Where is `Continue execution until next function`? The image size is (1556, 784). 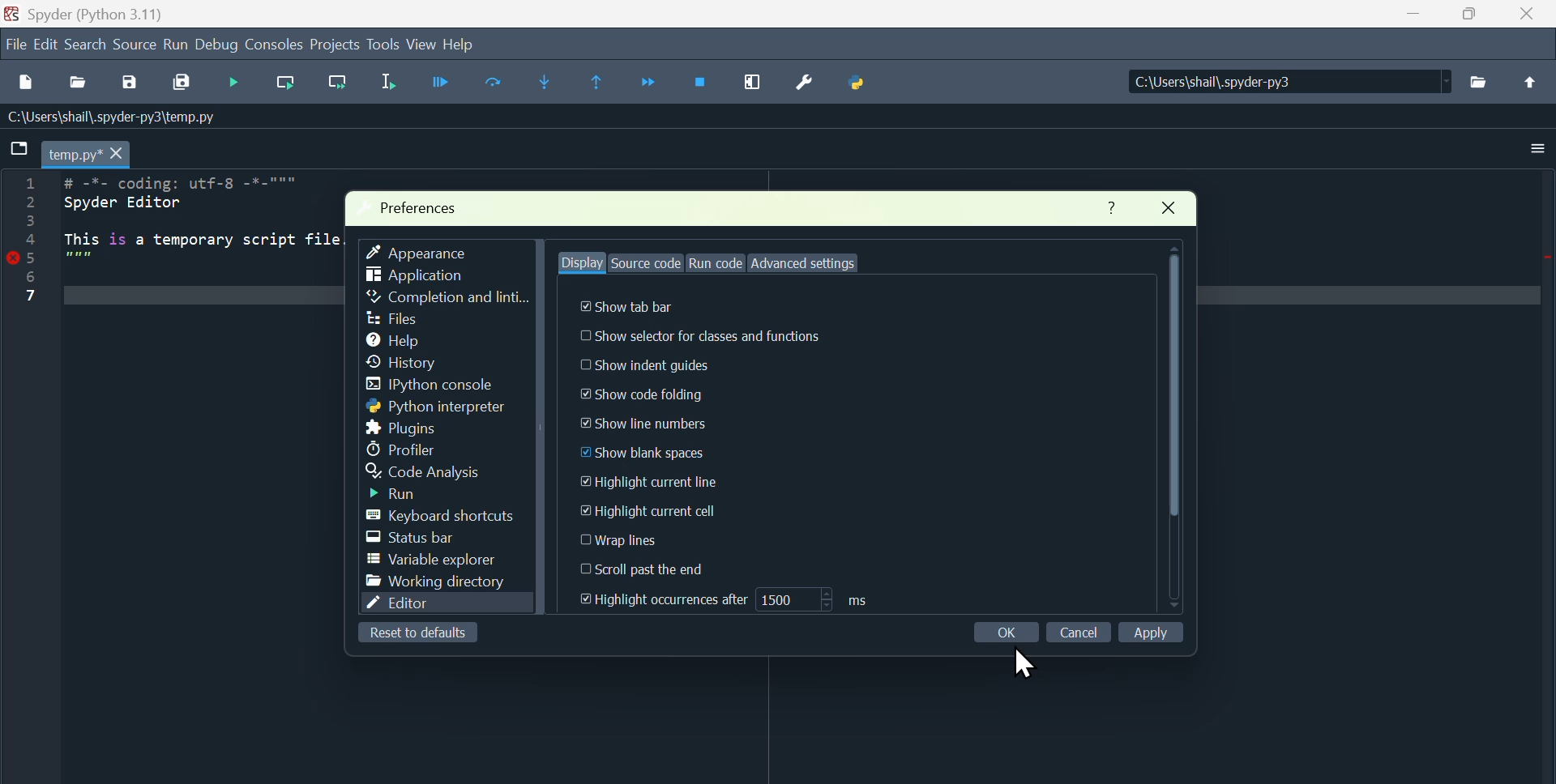 Continue execution until next function is located at coordinates (647, 80).